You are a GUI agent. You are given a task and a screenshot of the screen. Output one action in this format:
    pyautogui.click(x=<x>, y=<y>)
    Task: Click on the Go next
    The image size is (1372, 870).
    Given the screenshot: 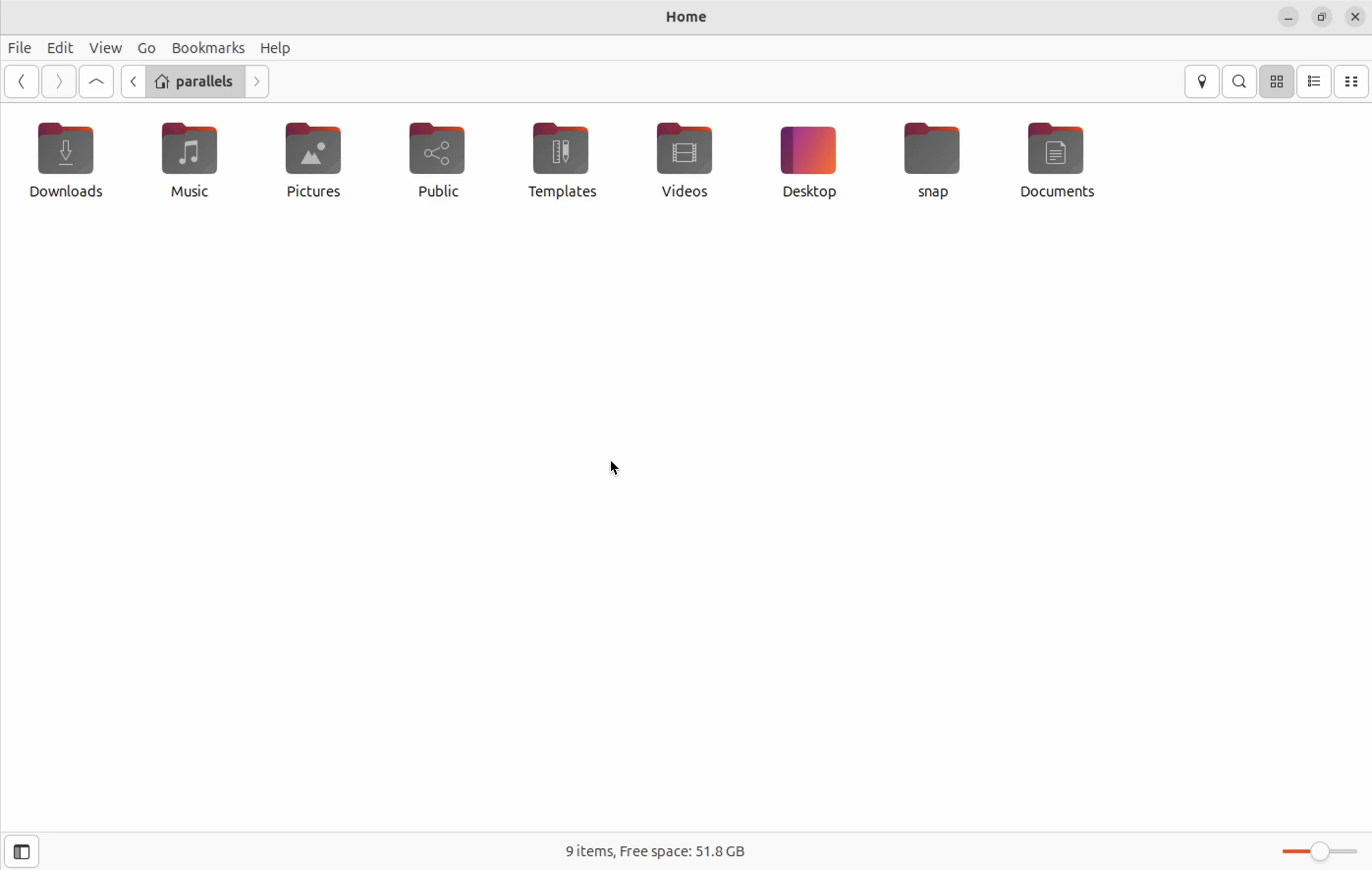 What is the action you would take?
    pyautogui.click(x=260, y=81)
    